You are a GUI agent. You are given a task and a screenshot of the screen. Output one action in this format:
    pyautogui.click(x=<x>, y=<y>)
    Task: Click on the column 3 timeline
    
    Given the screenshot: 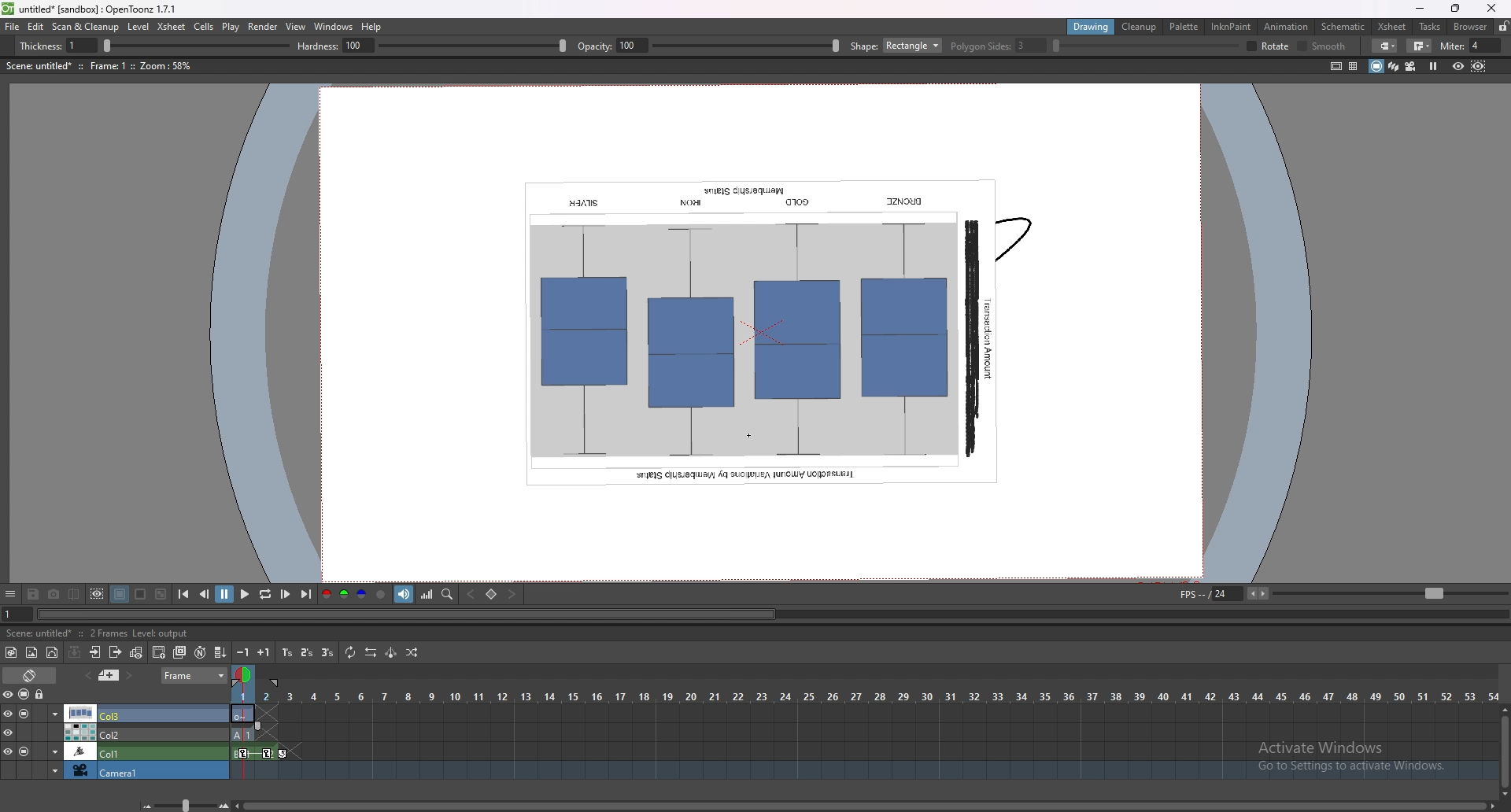 What is the action you would take?
    pyautogui.click(x=865, y=715)
    